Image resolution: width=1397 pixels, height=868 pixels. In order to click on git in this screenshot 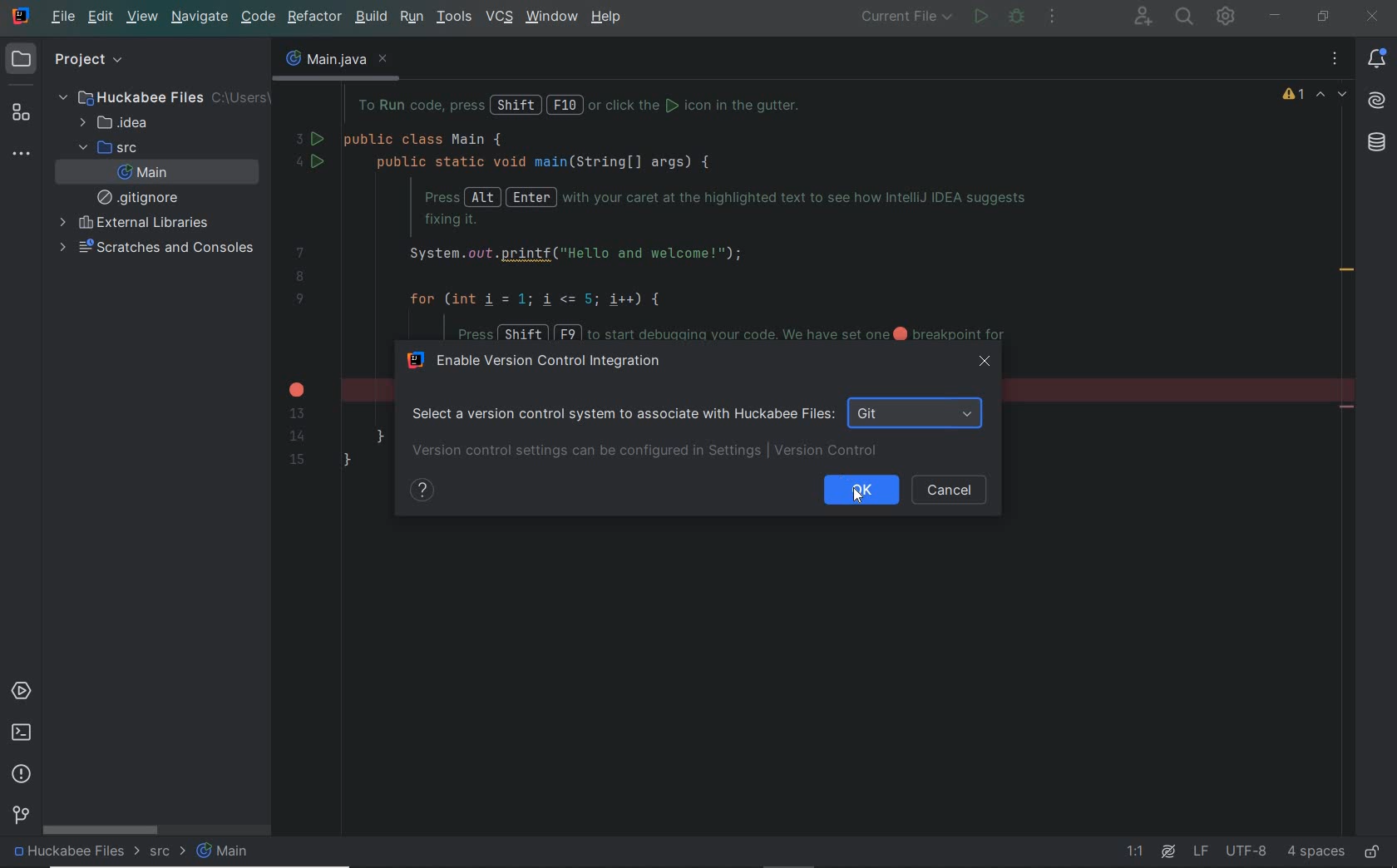, I will do `click(916, 415)`.